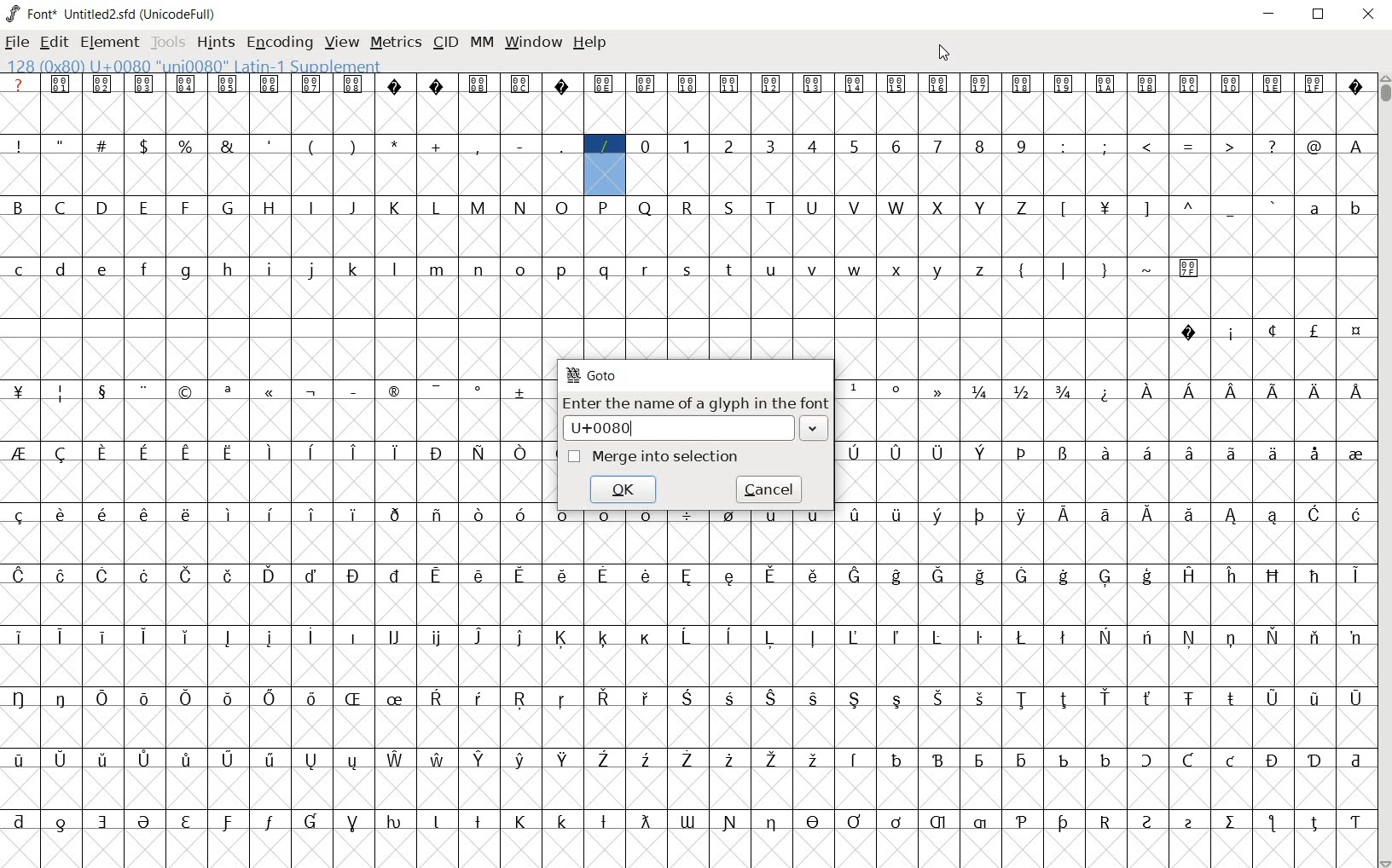 This screenshot has width=1392, height=868. I want to click on glyph, so click(687, 637).